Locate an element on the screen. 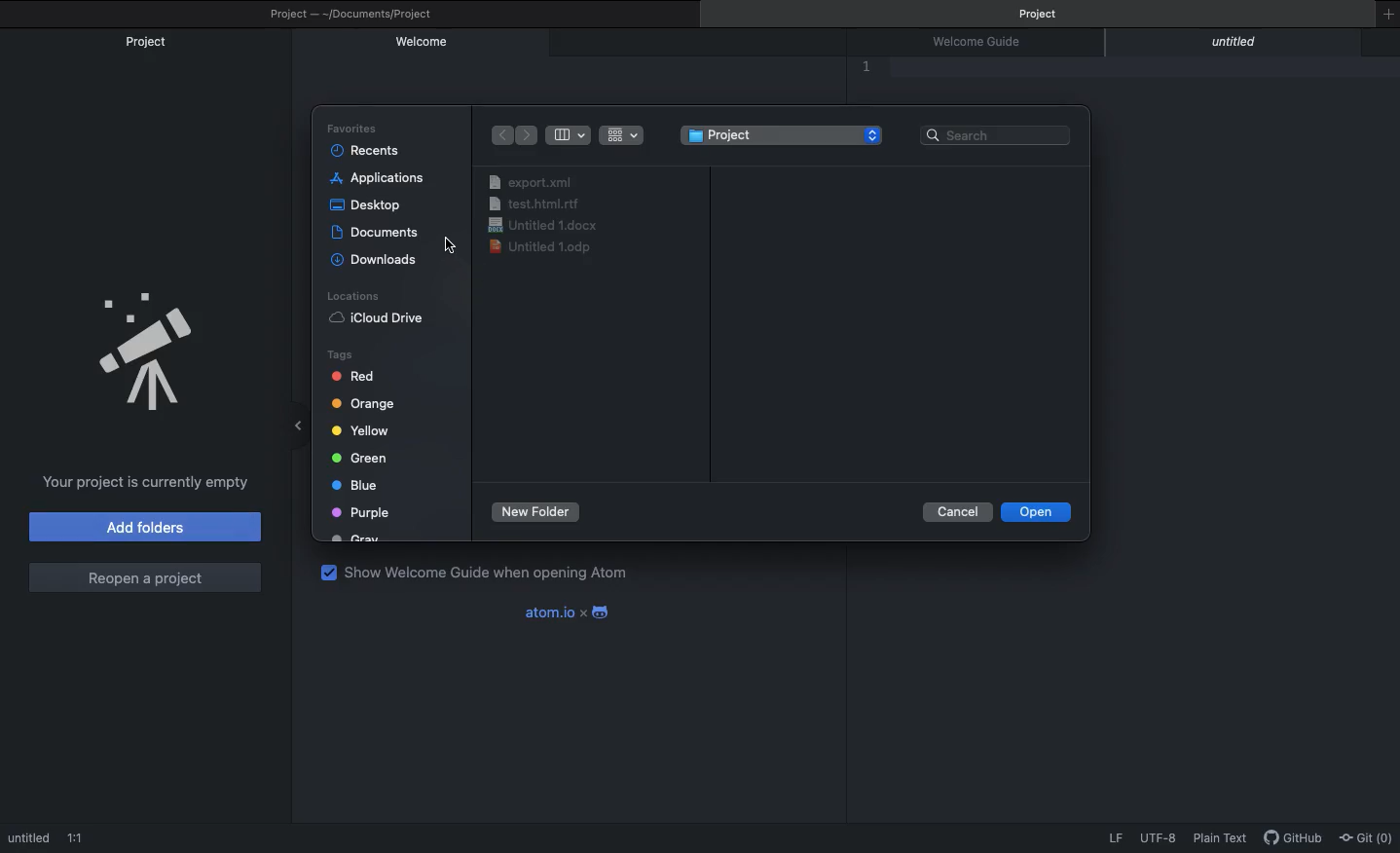 This screenshot has width=1400, height=853. New foler is located at coordinates (537, 511).